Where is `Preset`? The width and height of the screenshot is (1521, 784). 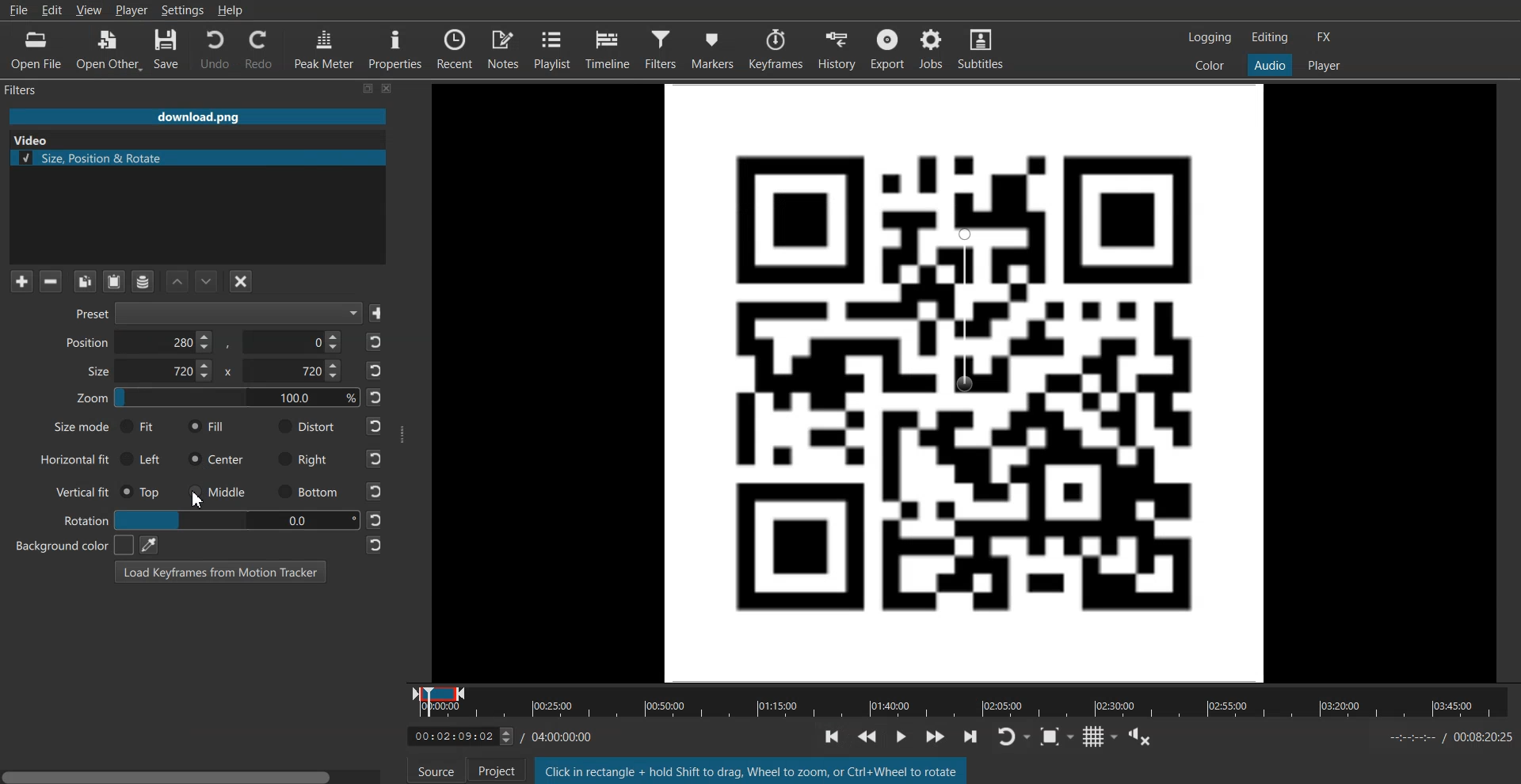 Preset is located at coordinates (213, 314).